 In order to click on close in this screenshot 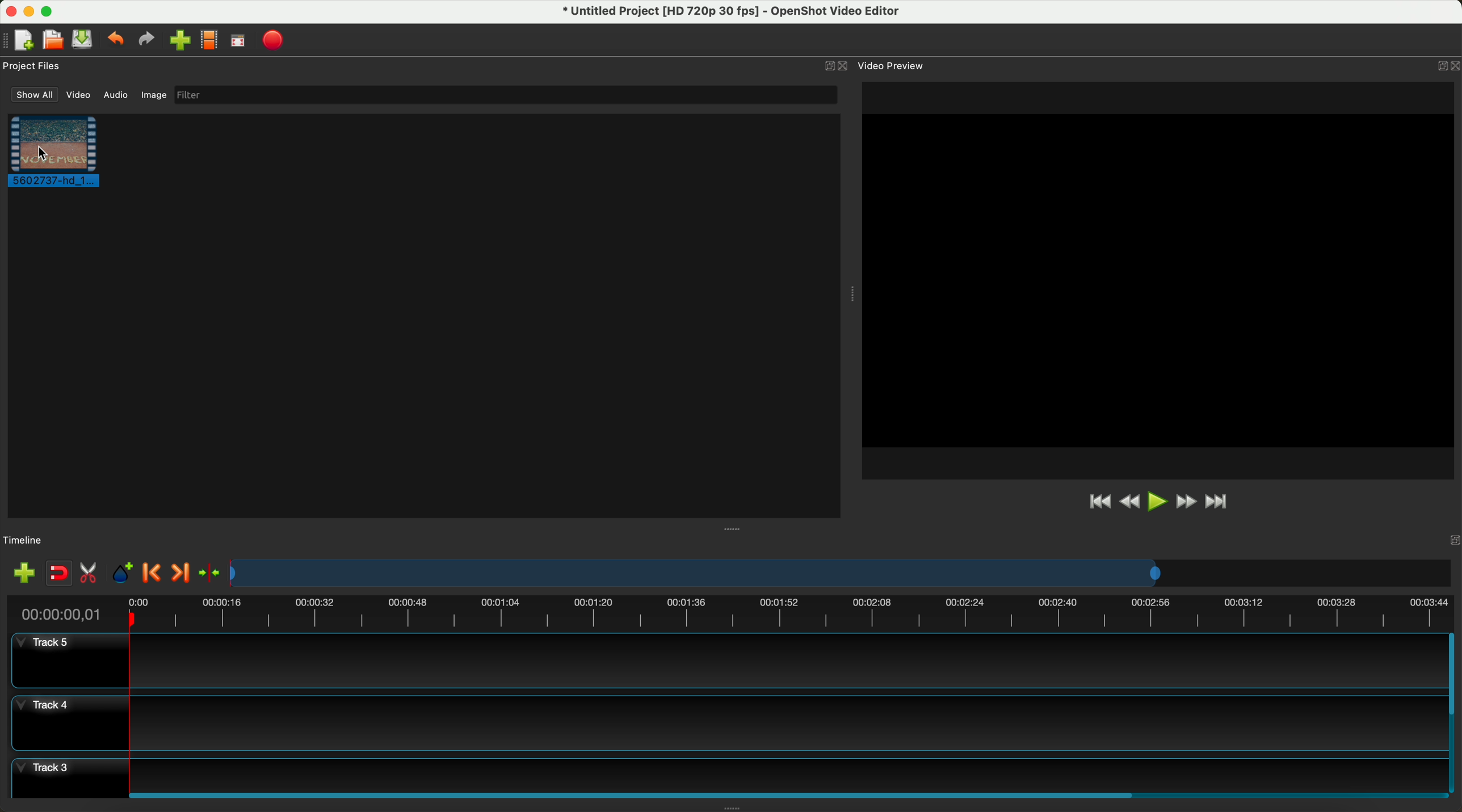, I will do `click(845, 67)`.